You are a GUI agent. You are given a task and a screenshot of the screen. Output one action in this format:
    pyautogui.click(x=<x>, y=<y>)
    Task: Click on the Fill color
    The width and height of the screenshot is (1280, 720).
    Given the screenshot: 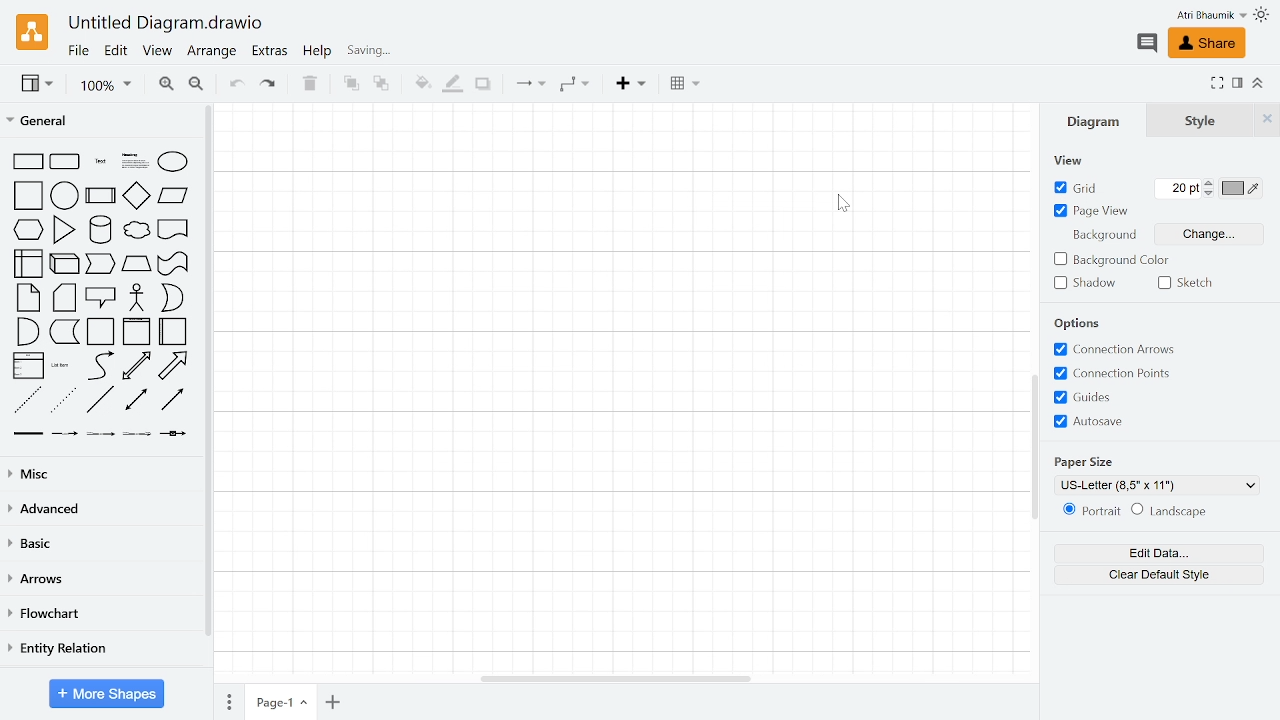 What is the action you would take?
    pyautogui.click(x=420, y=84)
    